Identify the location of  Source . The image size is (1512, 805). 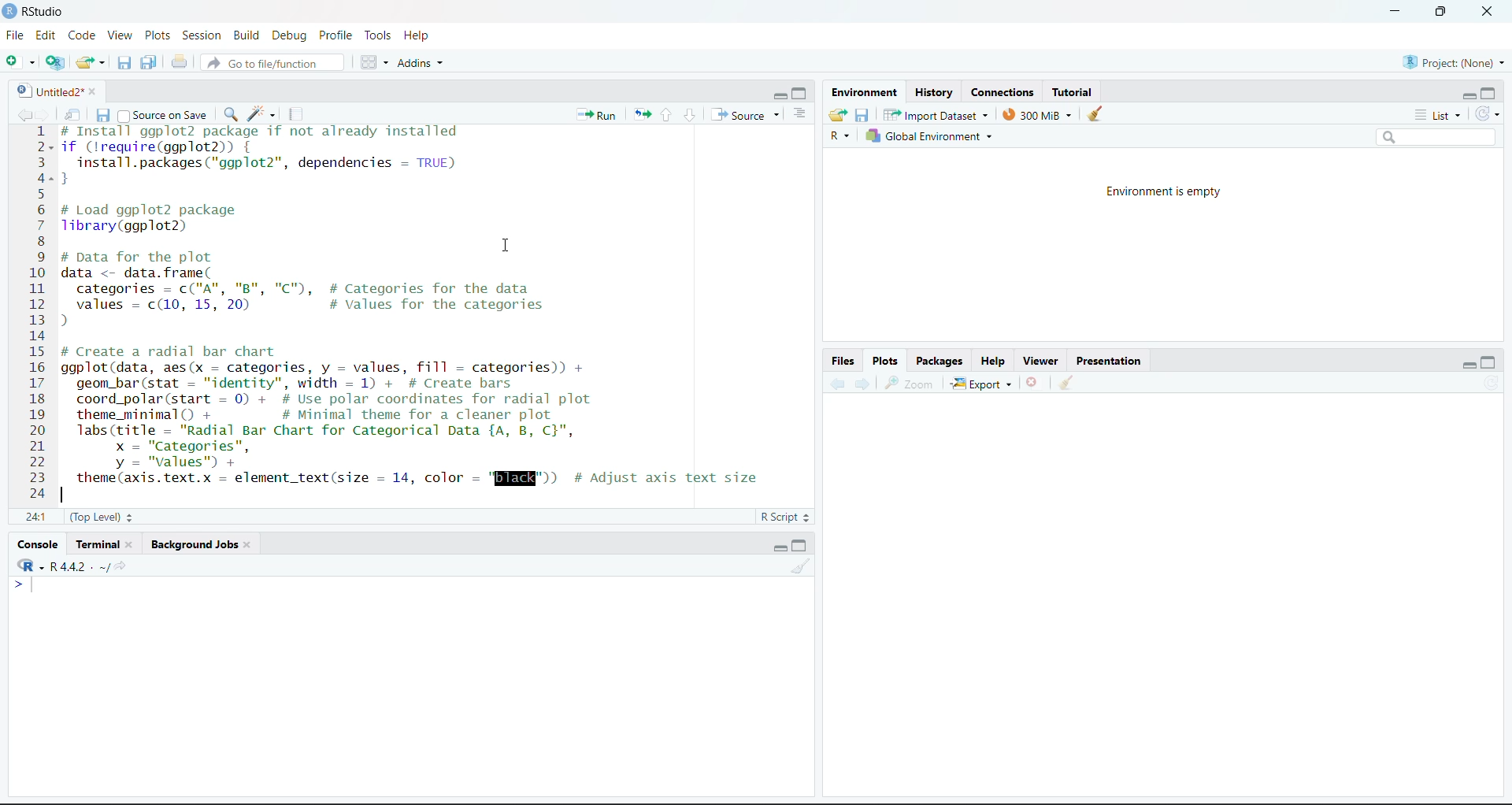
(749, 115).